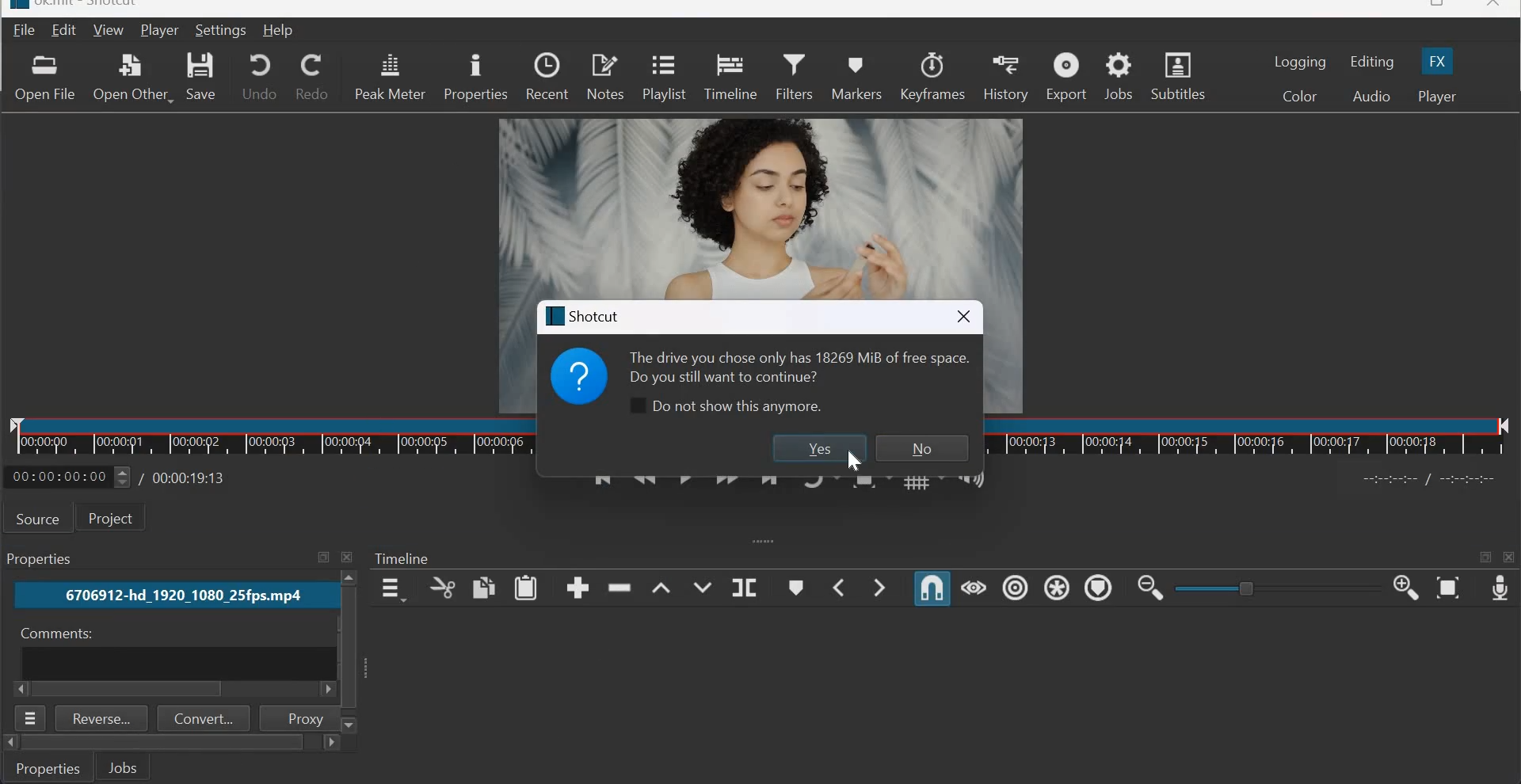 This screenshot has height=784, width=1521. What do you see at coordinates (854, 460) in the screenshot?
I see `cursor` at bounding box center [854, 460].